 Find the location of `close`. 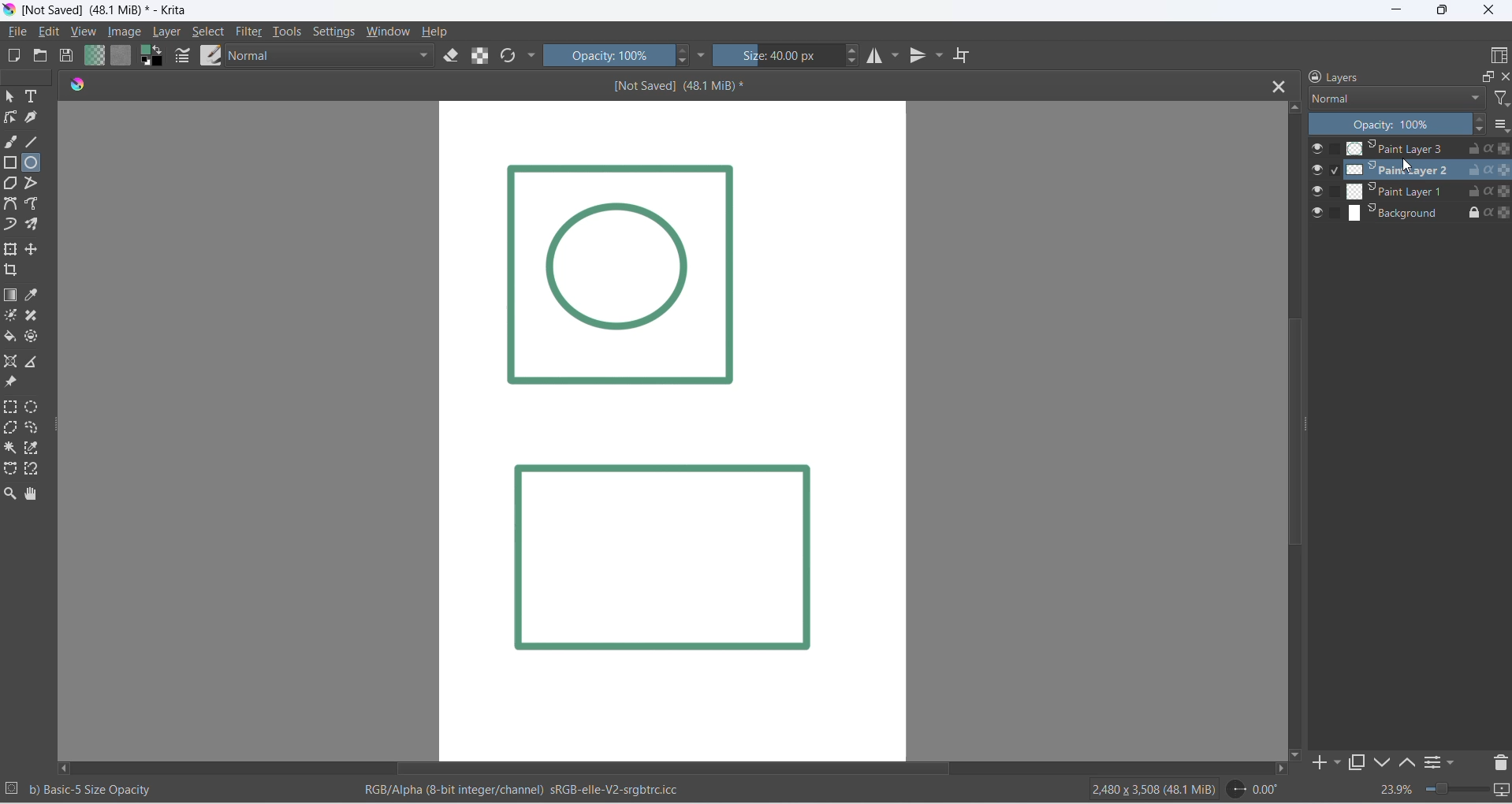

close is located at coordinates (1503, 73).